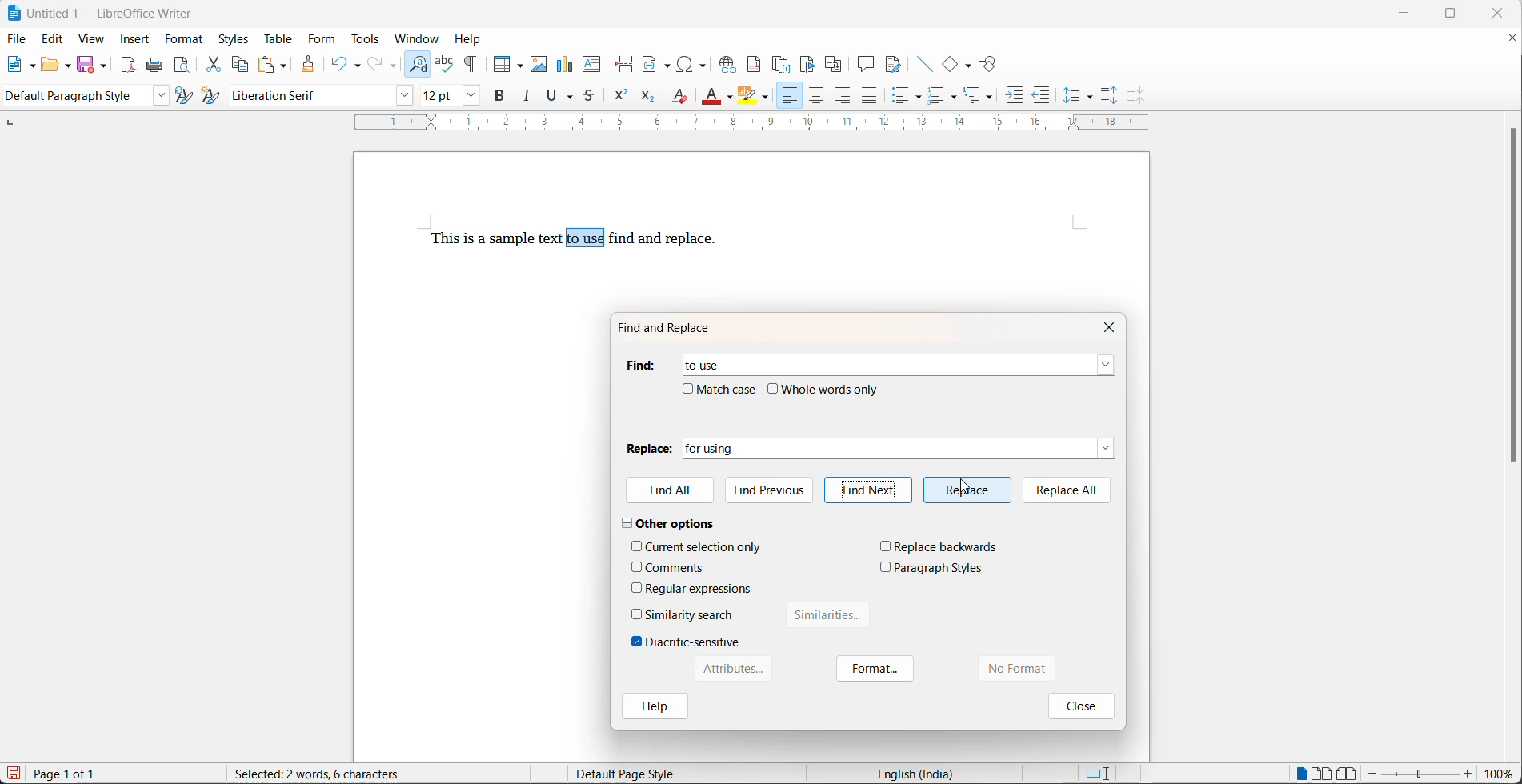 The image size is (1522, 784). What do you see at coordinates (695, 362) in the screenshot?
I see `to use` at bounding box center [695, 362].